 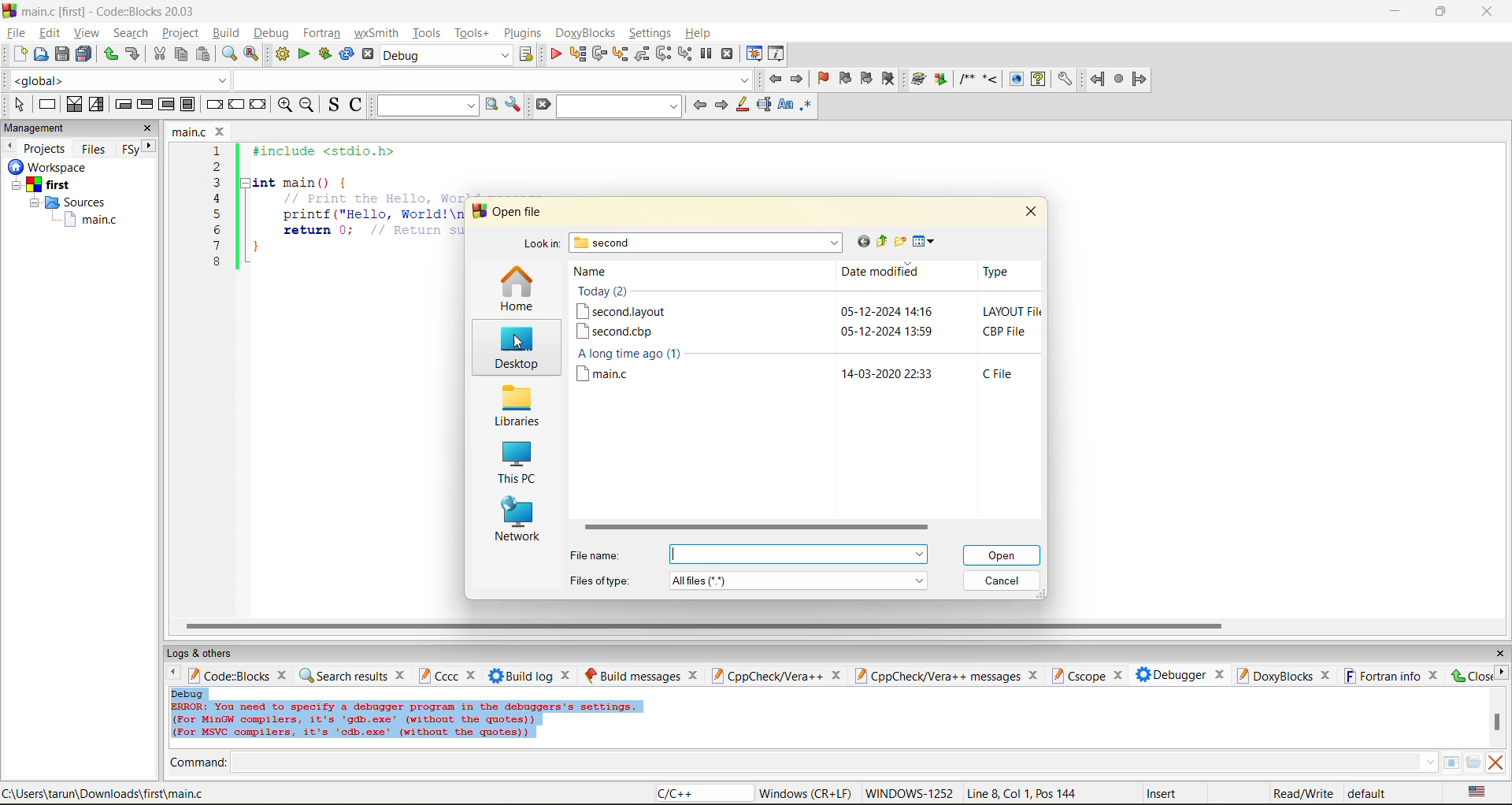 I want to click on 8, so click(x=217, y=262).